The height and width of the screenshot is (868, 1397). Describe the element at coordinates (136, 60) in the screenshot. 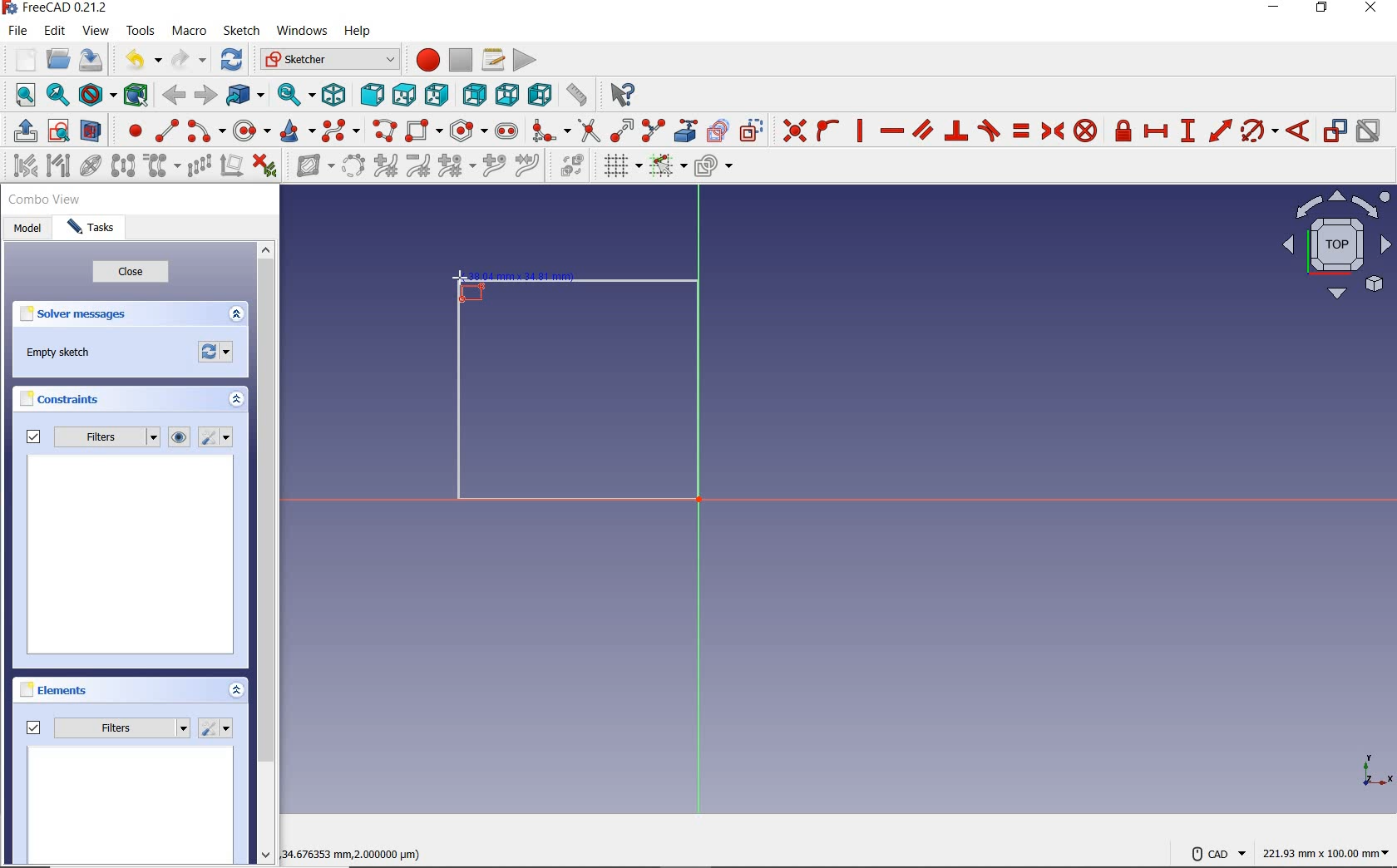

I see `undo` at that location.